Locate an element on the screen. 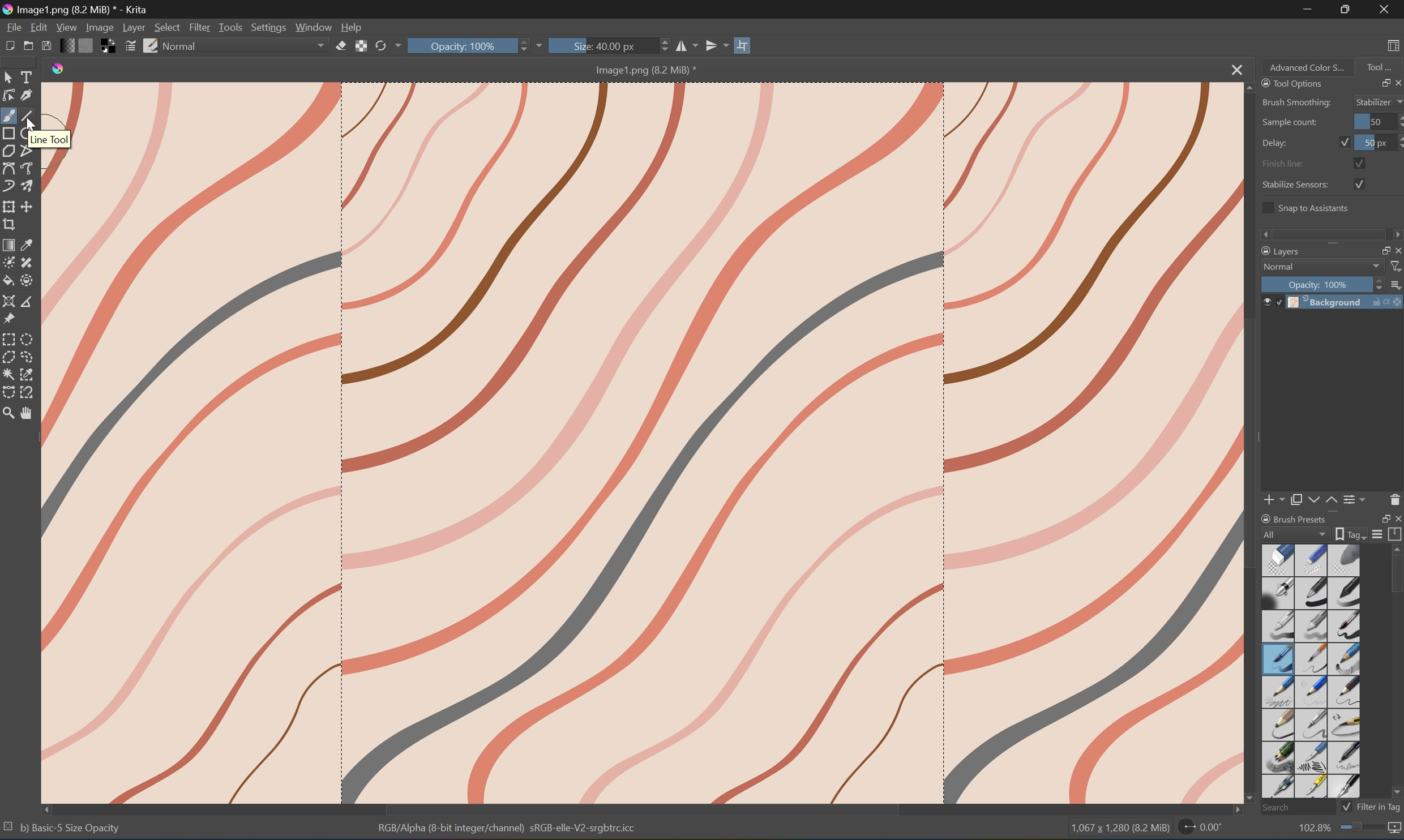  Opacity: 100% is located at coordinates (1319, 284).